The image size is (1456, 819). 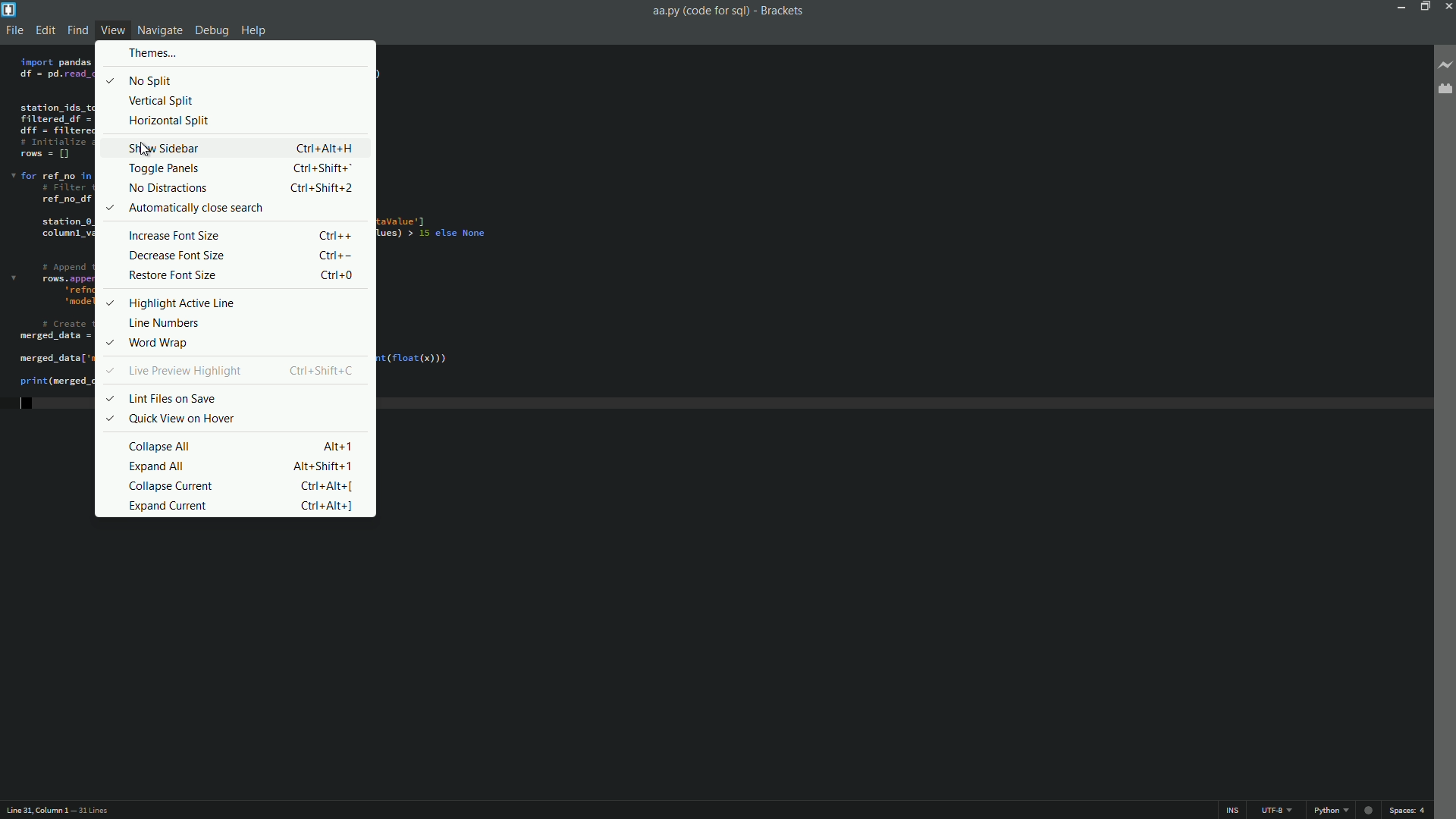 I want to click on close app, so click(x=1447, y=6).